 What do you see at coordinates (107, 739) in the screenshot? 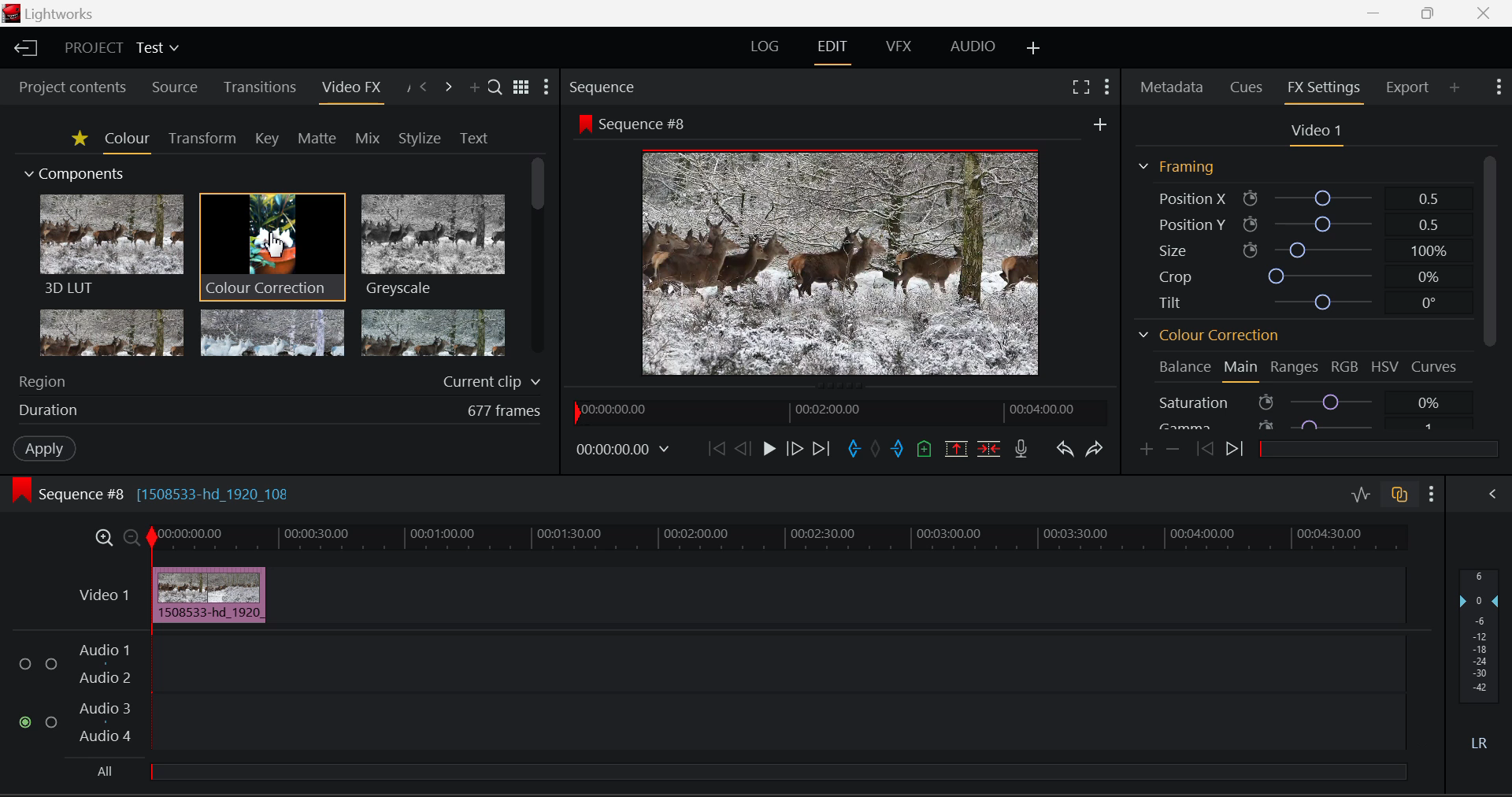
I see `Audio 4` at bounding box center [107, 739].